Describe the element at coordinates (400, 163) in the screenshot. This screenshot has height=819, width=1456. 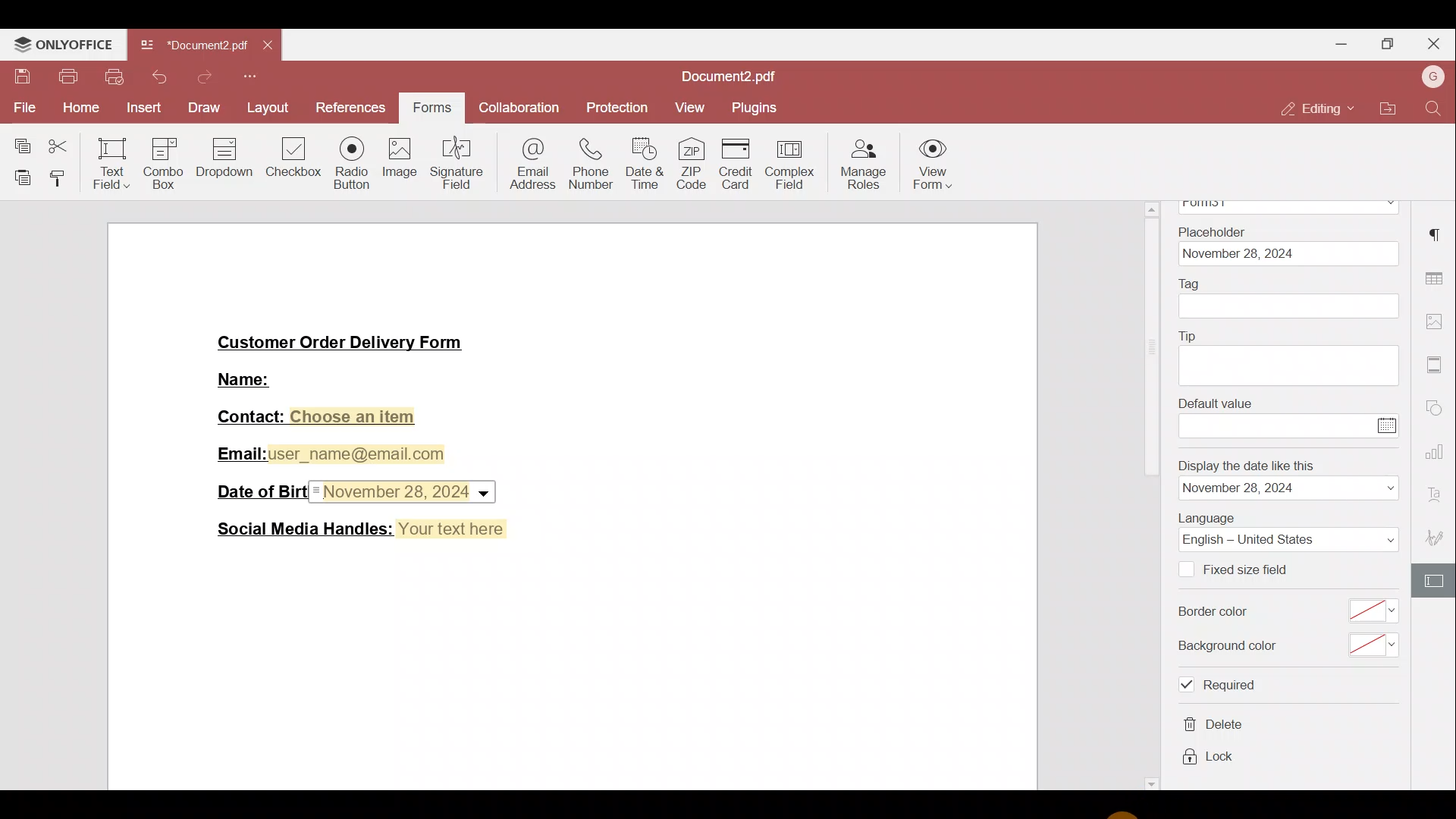
I see `Image` at that location.